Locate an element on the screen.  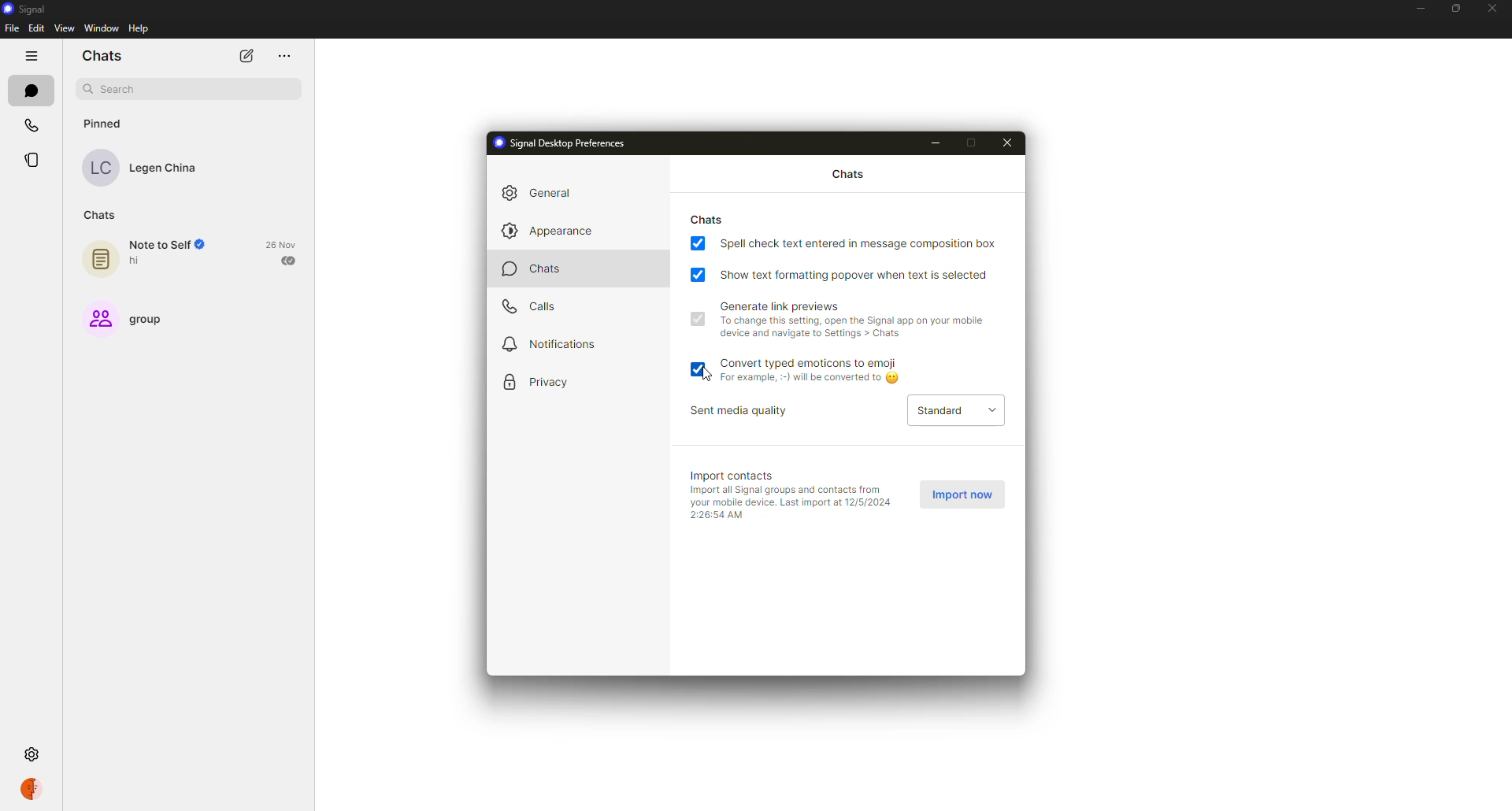
sent is located at coordinates (289, 261).